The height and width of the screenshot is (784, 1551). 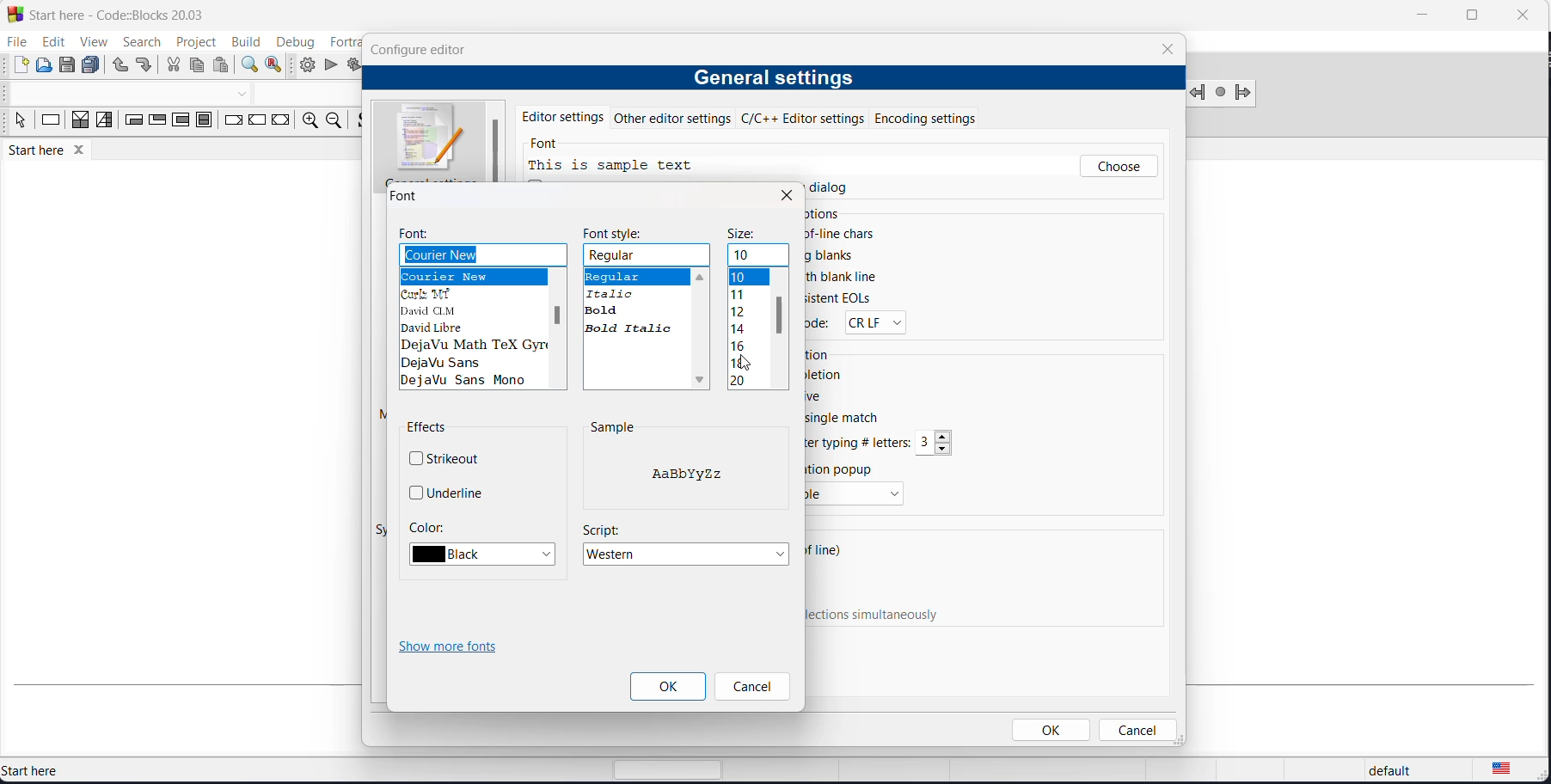 What do you see at coordinates (676, 118) in the screenshot?
I see `other editor settings` at bounding box center [676, 118].